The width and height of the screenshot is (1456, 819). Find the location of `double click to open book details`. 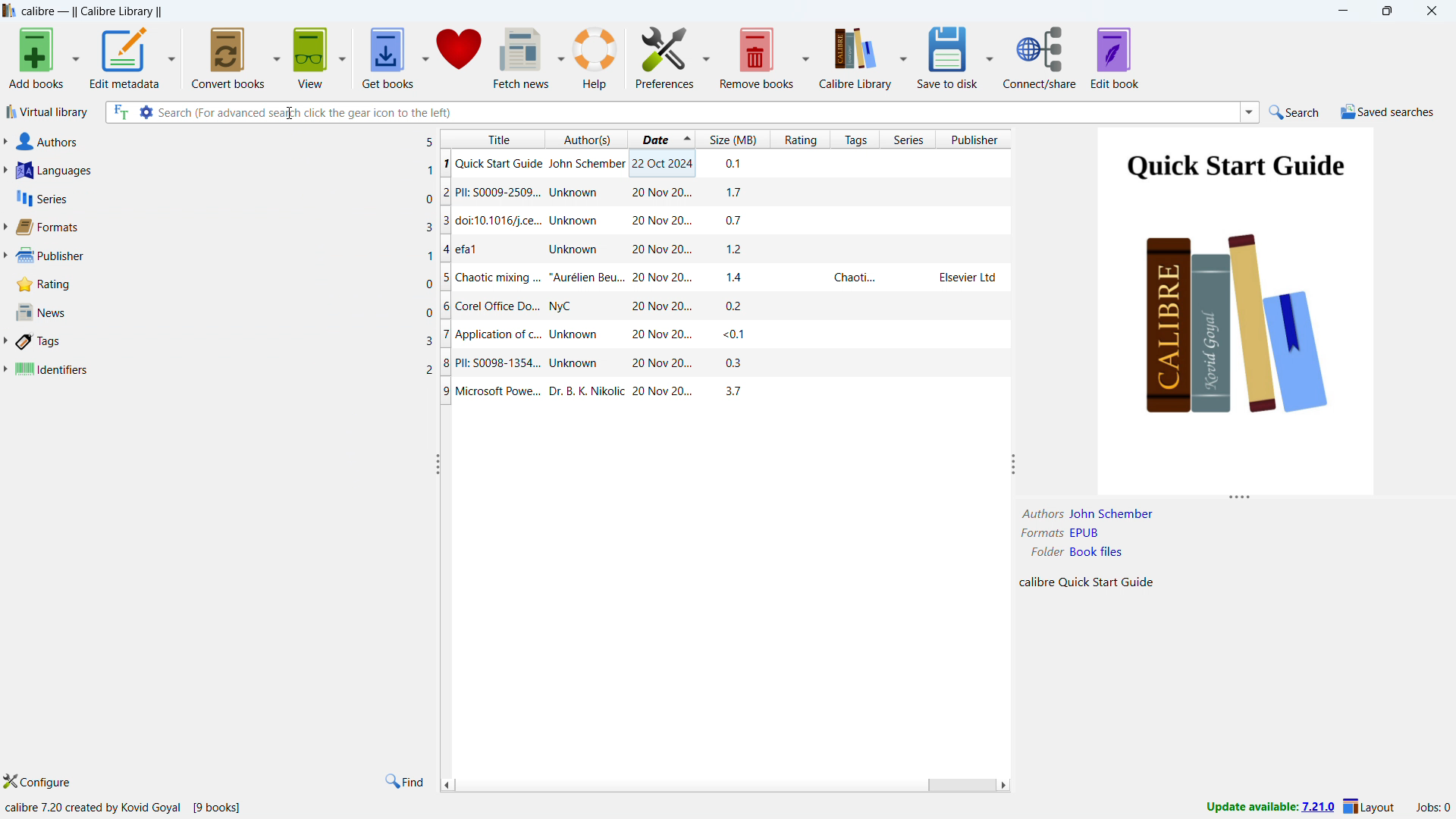

double click to open book details is located at coordinates (1239, 310).